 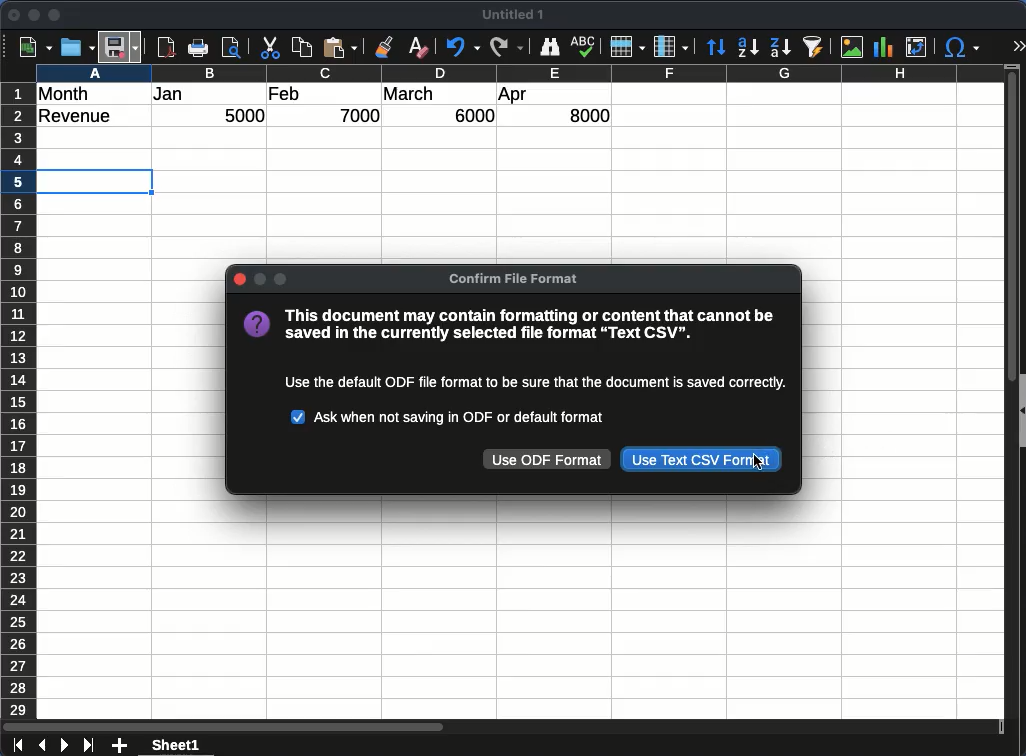 What do you see at coordinates (813, 47) in the screenshot?
I see `autofilter` at bounding box center [813, 47].